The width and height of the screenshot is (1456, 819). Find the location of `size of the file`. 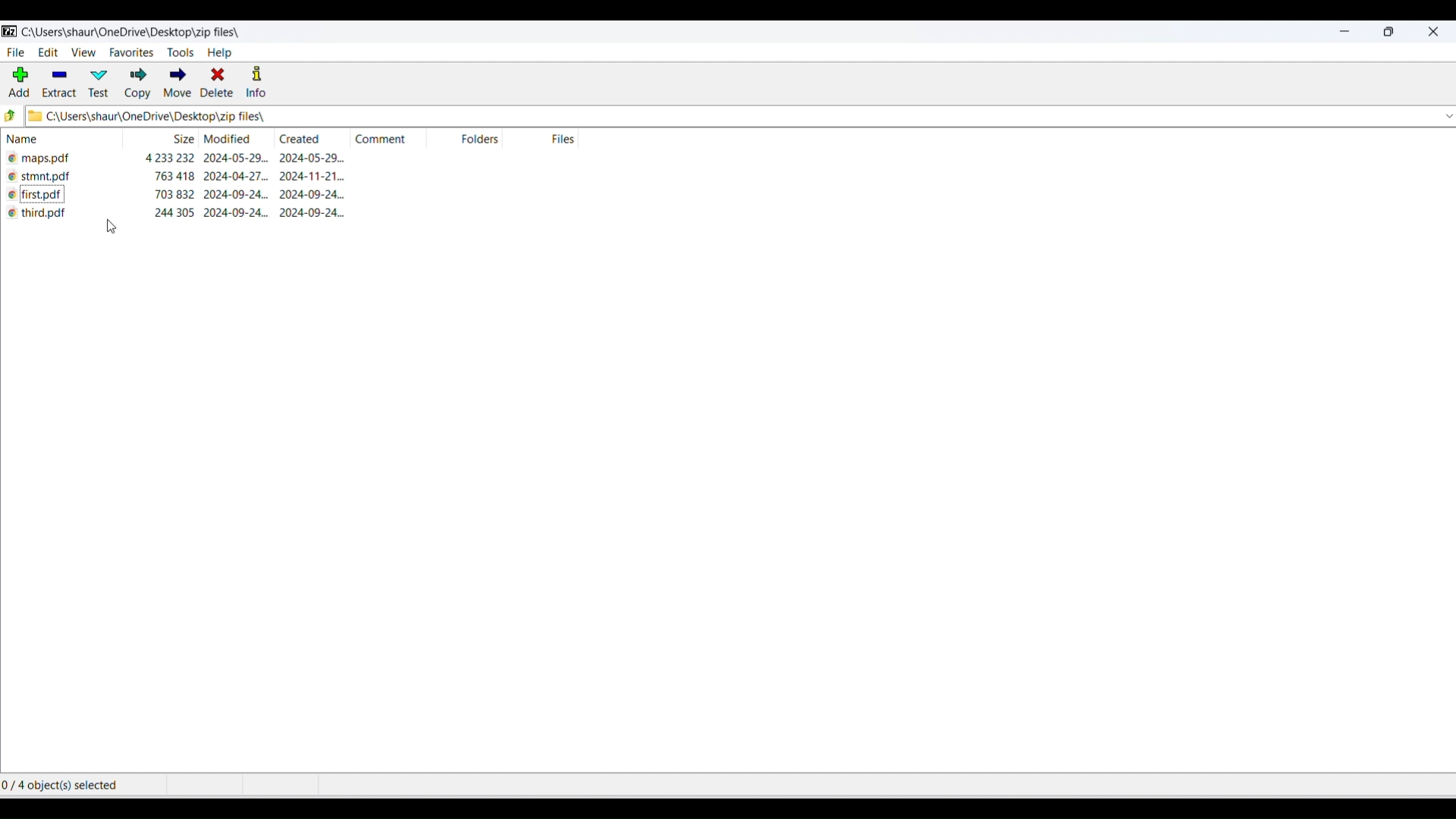

size of the file is located at coordinates (177, 193).